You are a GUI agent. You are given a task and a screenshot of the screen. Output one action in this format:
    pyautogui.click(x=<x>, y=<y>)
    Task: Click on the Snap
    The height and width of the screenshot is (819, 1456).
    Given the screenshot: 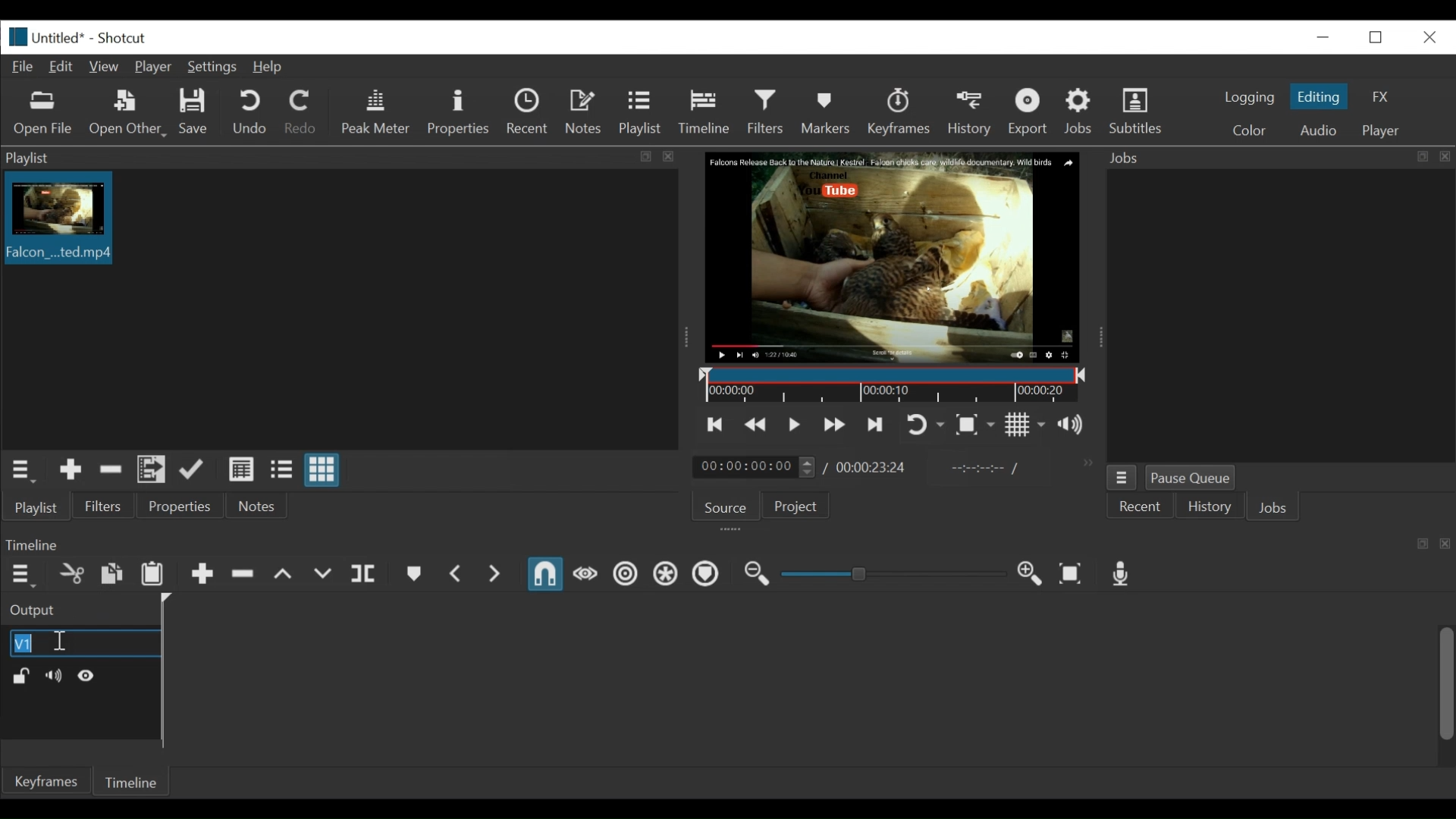 What is the action you would take?
    pyautogui.click(x=547, y=576)
    